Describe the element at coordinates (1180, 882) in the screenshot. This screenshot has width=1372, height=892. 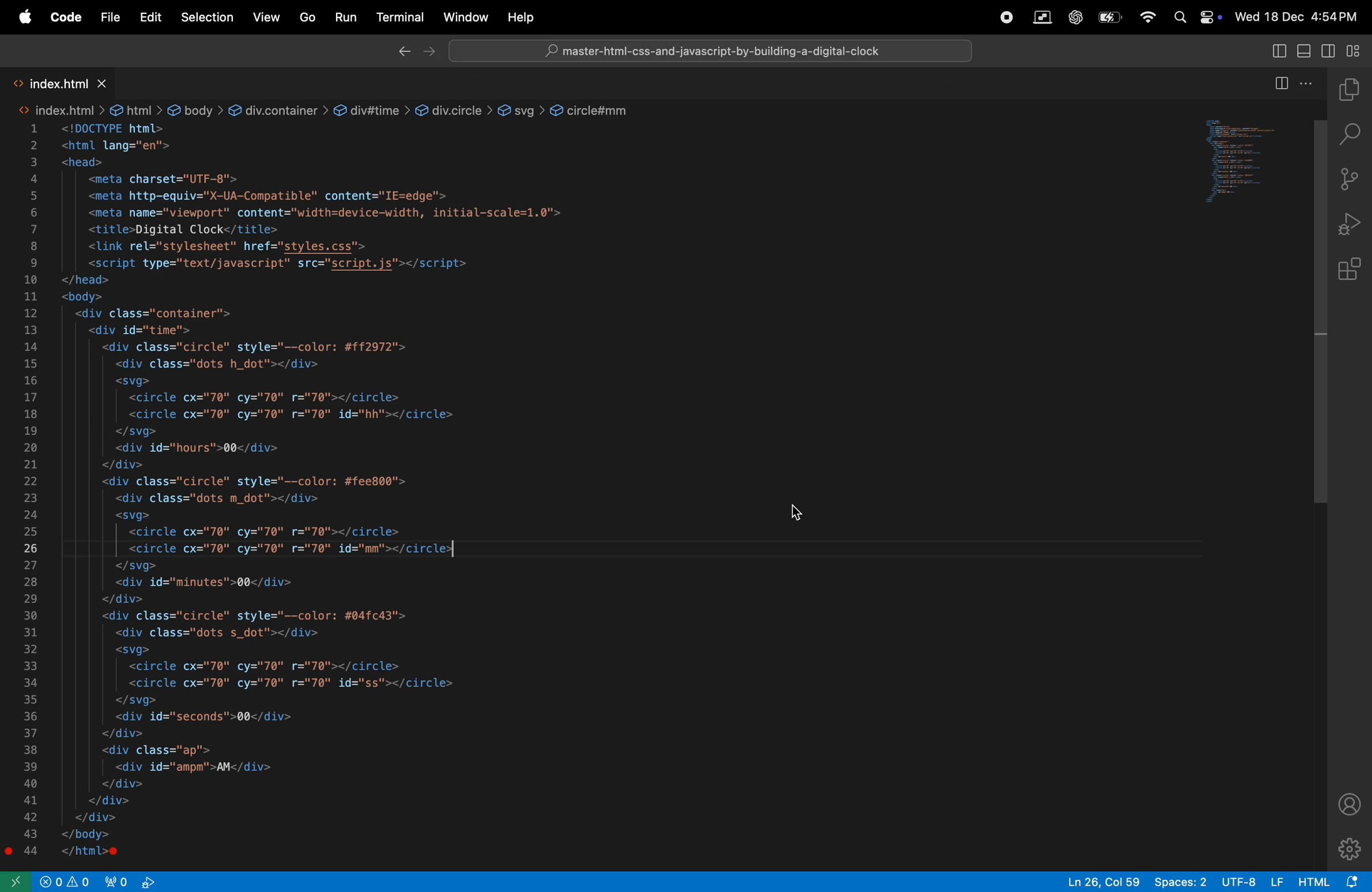
I see `spaces: 2` at that location.